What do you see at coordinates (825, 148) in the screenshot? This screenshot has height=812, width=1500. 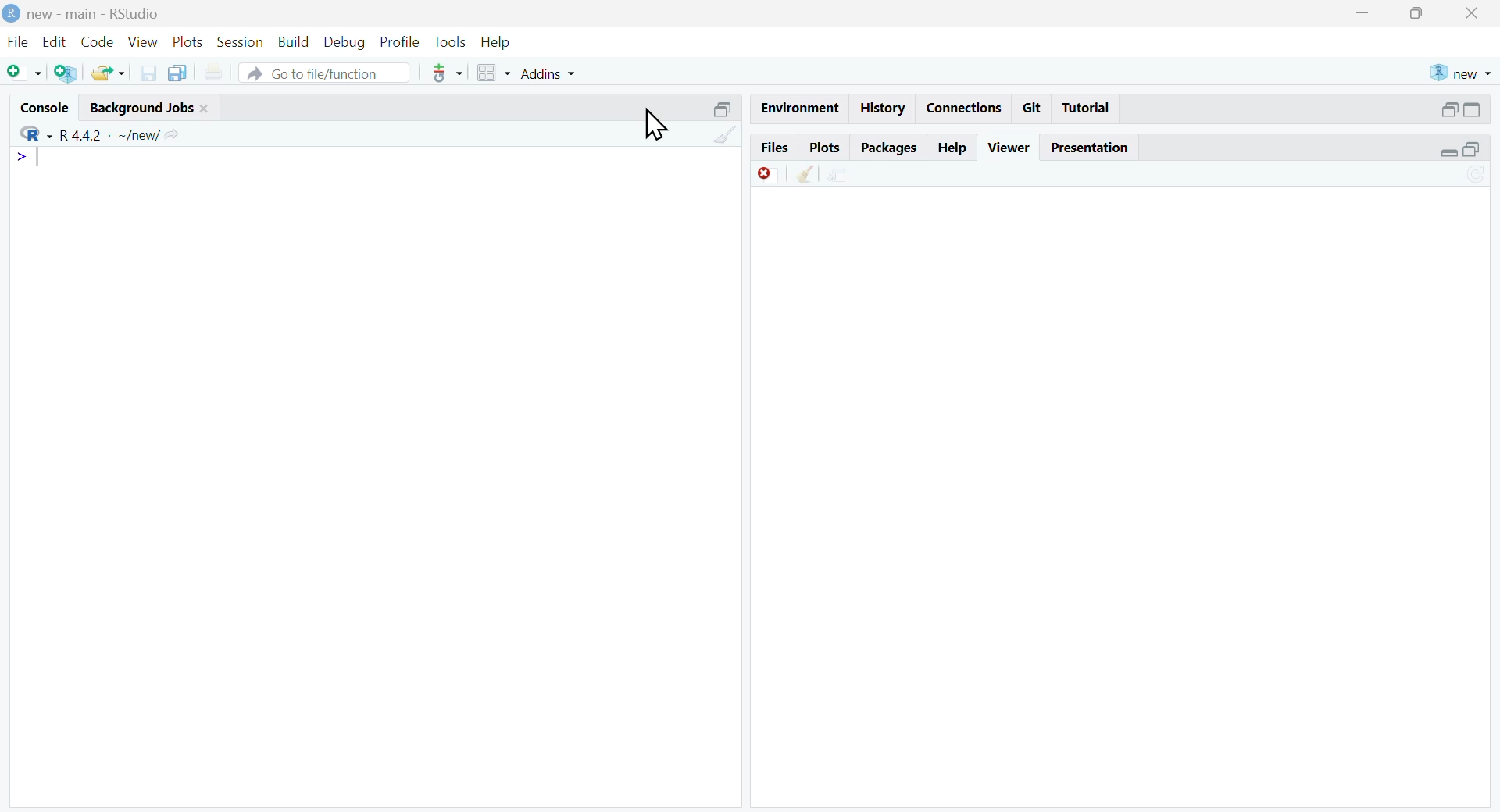 I see `plots` at bounding box center [825, 148].